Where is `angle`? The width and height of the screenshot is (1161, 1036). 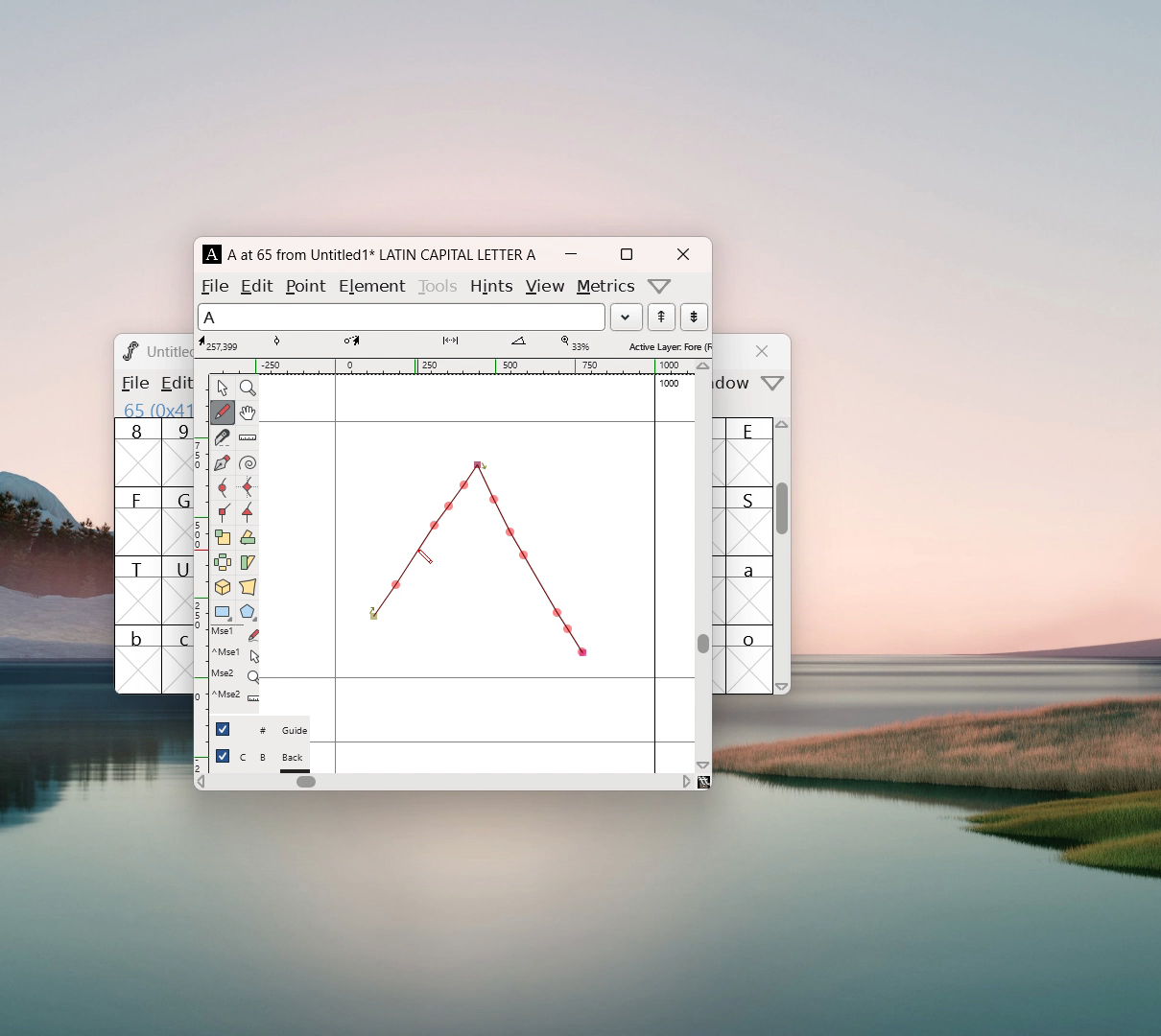 angle is located at coordinates (527, 343).